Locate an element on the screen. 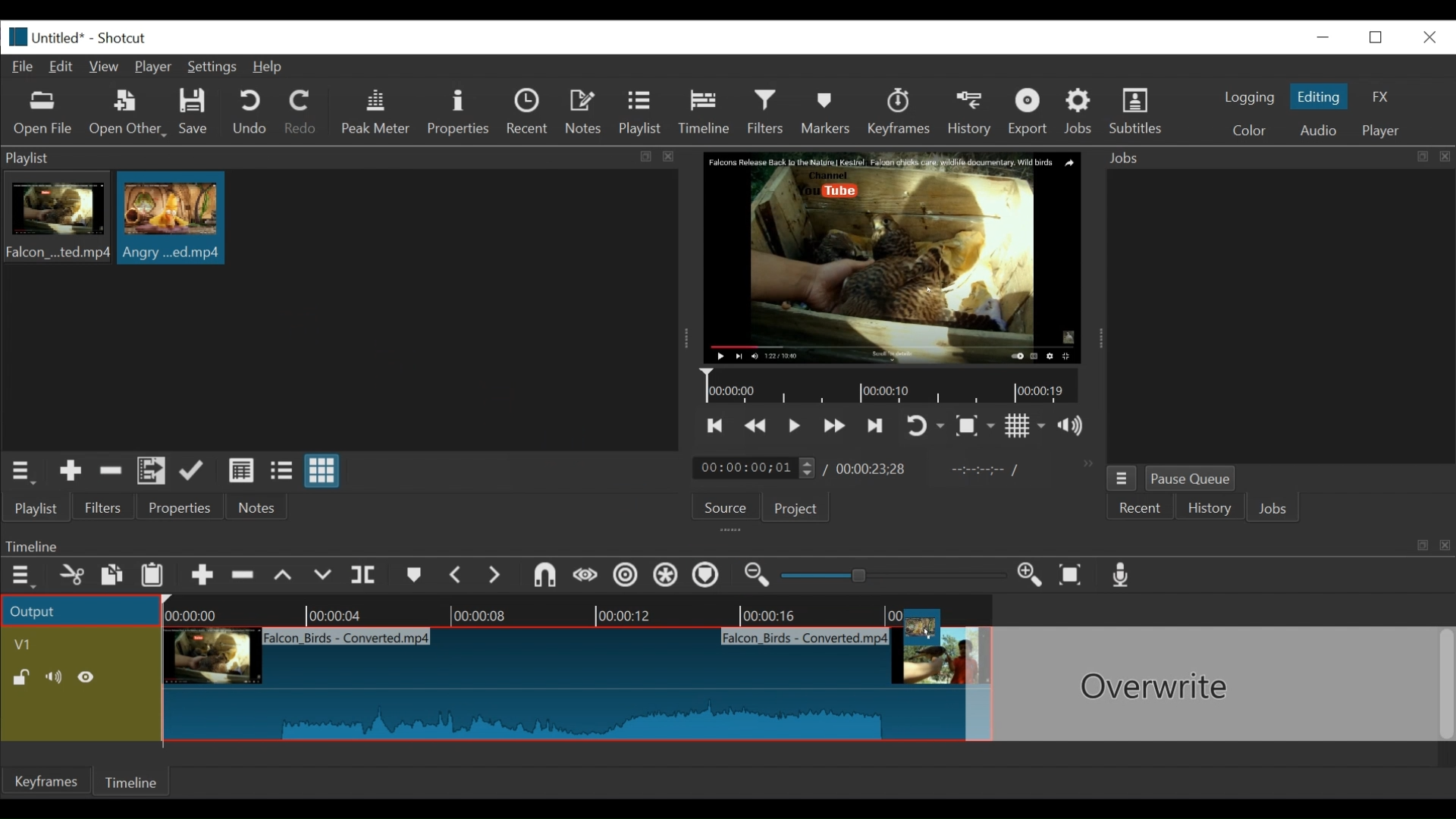  Shotcut logo is located at coordinates (14, 35).